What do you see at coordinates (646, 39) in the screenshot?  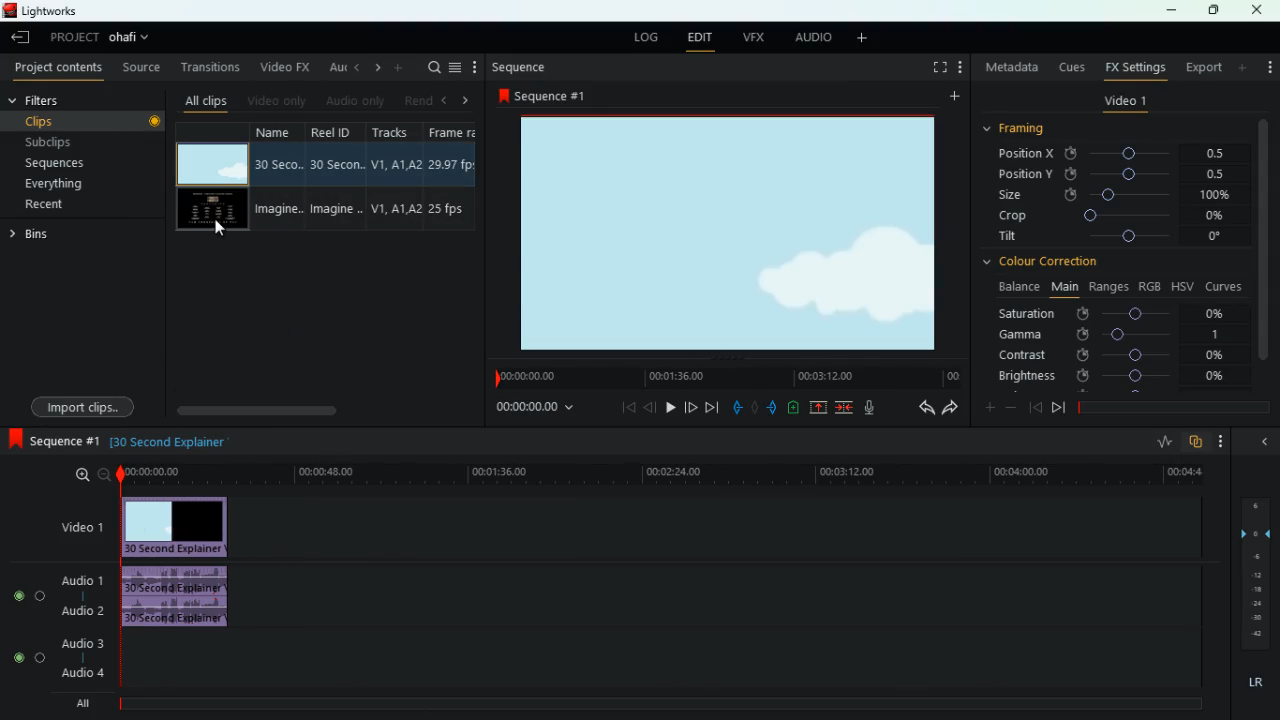 I see `log` at bounding box center [646, 39].